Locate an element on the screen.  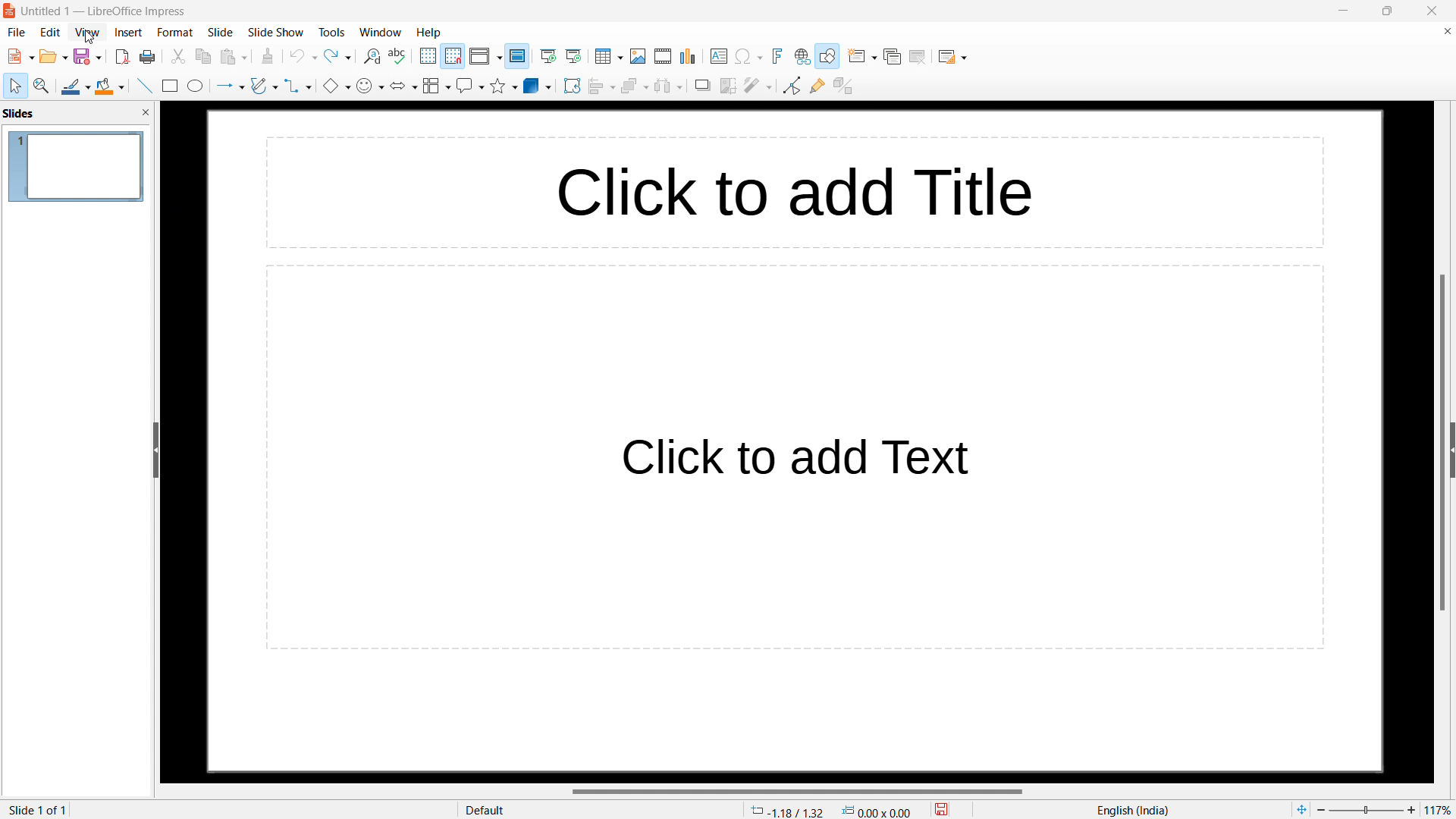
expand is located at coordinates (1451, 450).